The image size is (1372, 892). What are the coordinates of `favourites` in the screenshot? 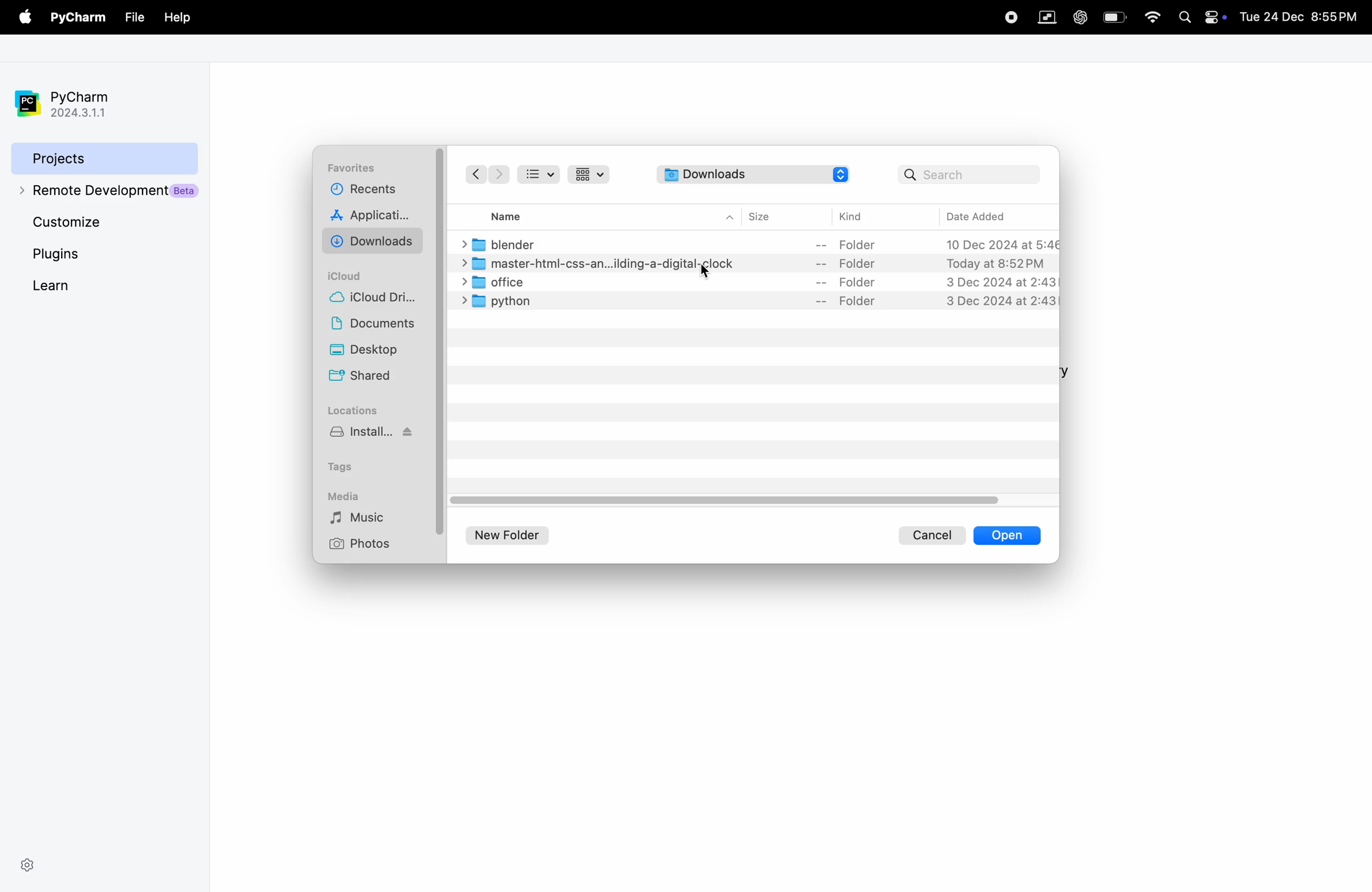 It's located at (355, 168).